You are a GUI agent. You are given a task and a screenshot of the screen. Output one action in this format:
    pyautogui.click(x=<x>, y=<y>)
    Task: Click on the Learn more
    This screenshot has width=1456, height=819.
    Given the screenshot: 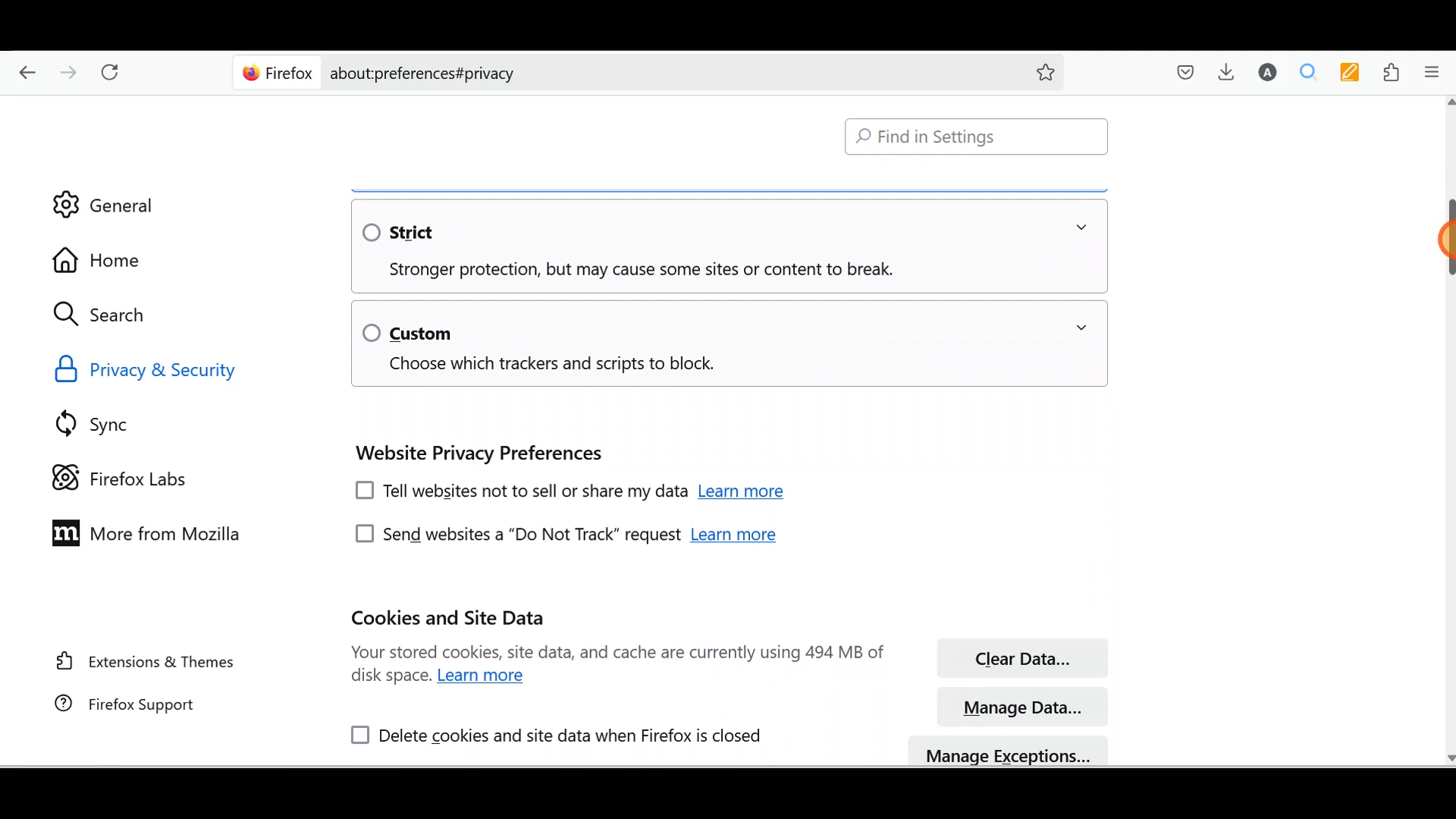 What is the action you would take?
    pyautogui.click(x=734, y=537)
    